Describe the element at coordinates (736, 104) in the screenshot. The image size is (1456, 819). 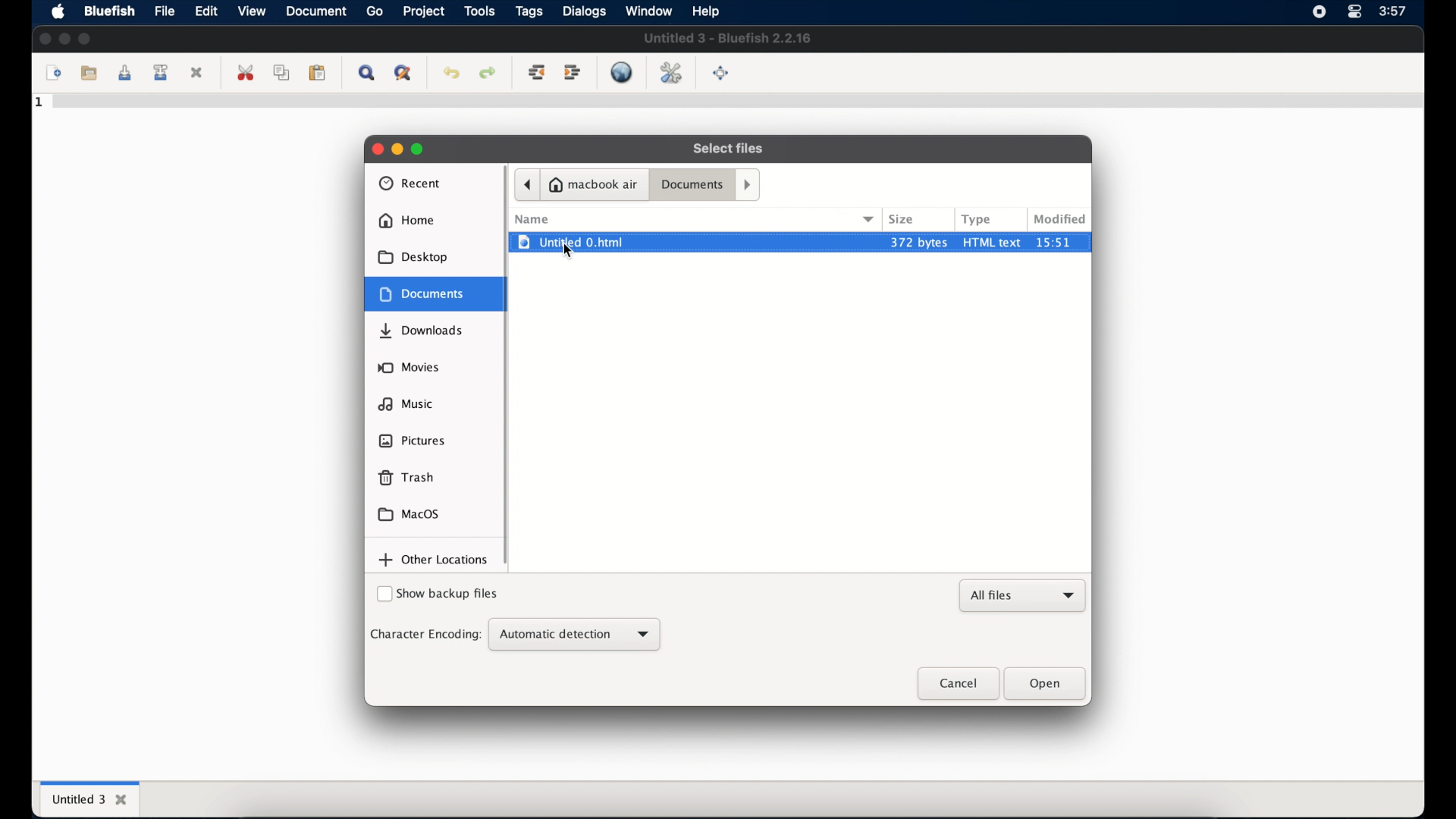
I see `code line` at that location.